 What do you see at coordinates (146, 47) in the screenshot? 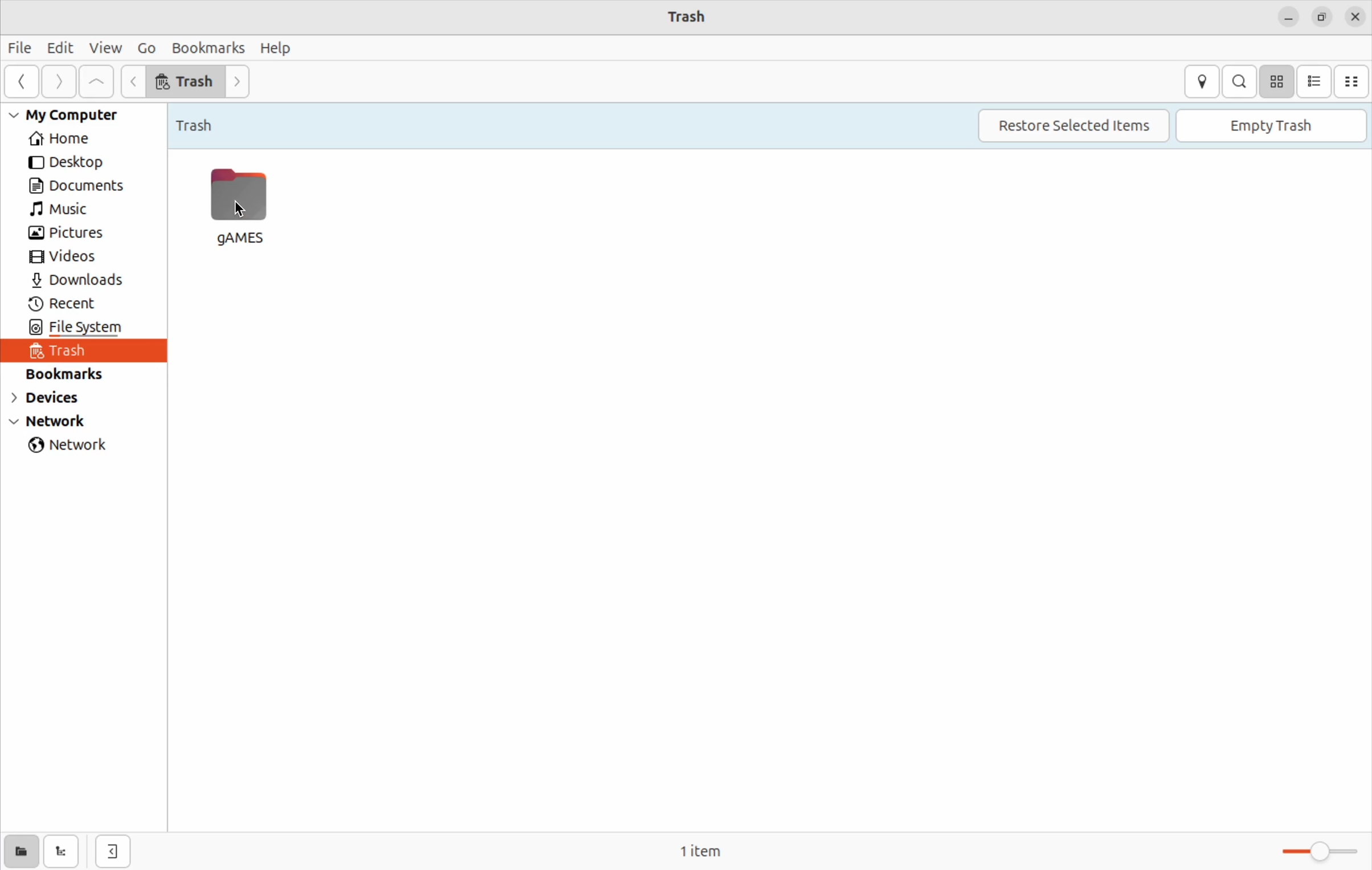
I see `Go` at bounding box center [146, 47].